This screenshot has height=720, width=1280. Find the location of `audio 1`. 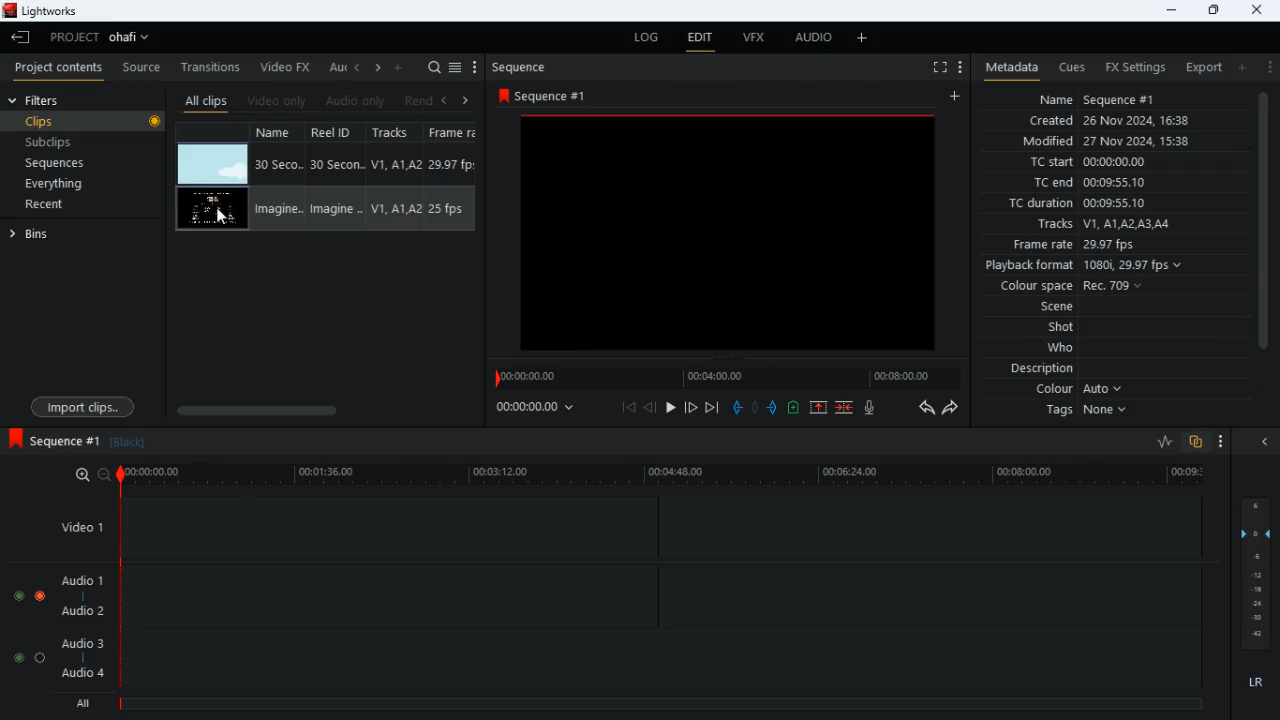

audio 1 is located at coordinates (82, 579).